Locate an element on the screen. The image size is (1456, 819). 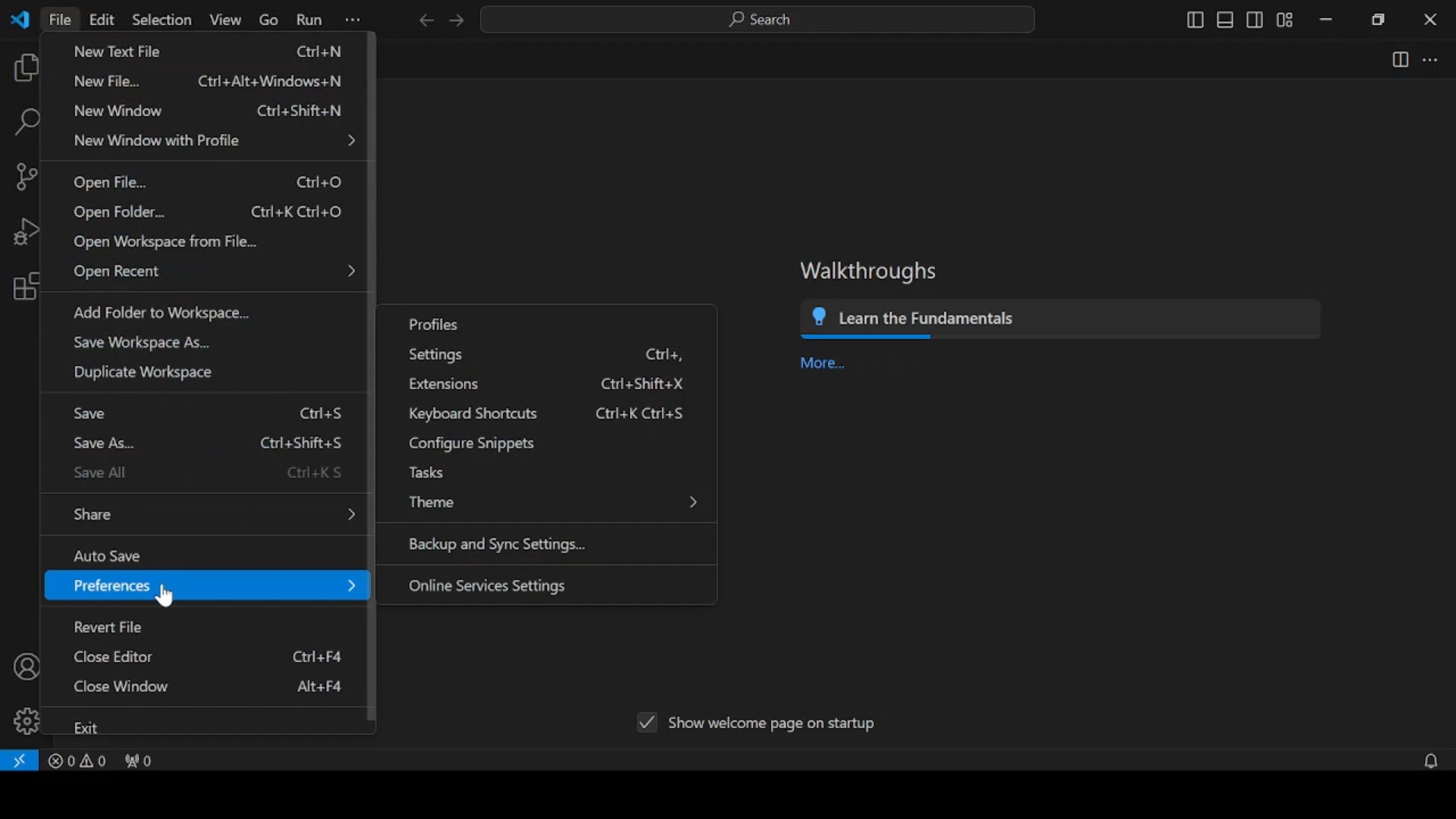
edit is located at coordinates (101, 19).